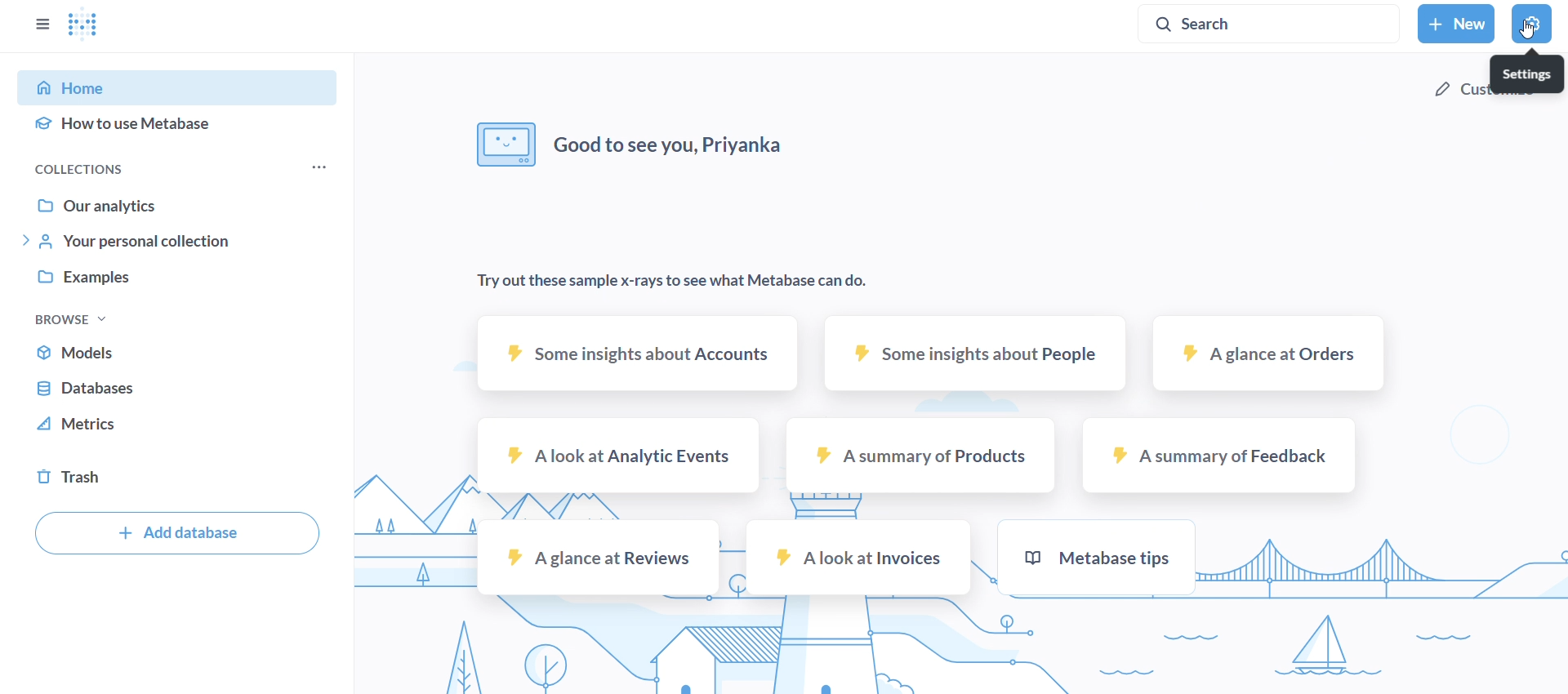  Describe the element at coordinates (635, 146) in the screenshot. I see `good to see you, priyanka` at that location.